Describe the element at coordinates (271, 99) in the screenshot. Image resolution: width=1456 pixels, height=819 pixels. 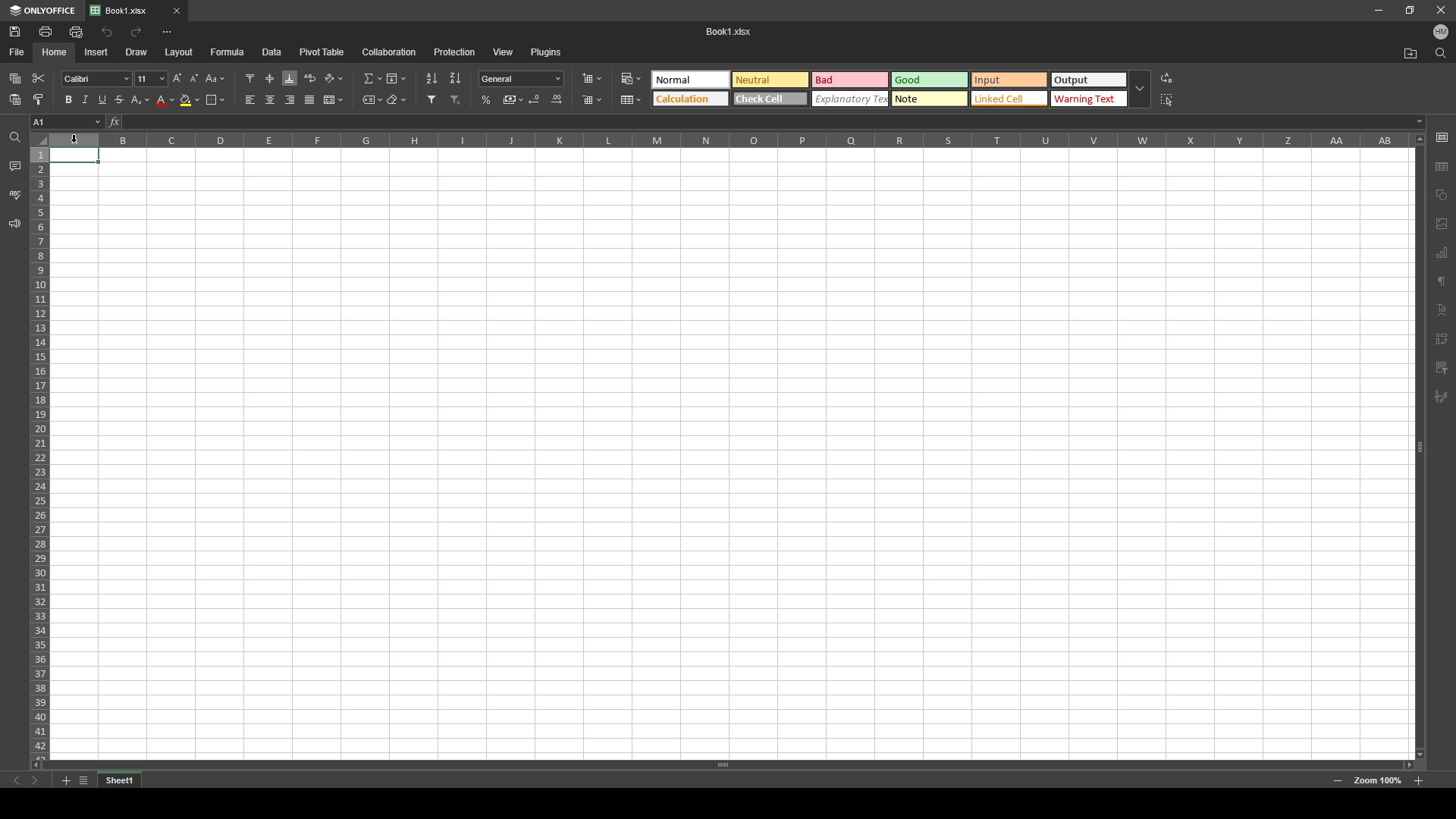
I see `align center` at that location.